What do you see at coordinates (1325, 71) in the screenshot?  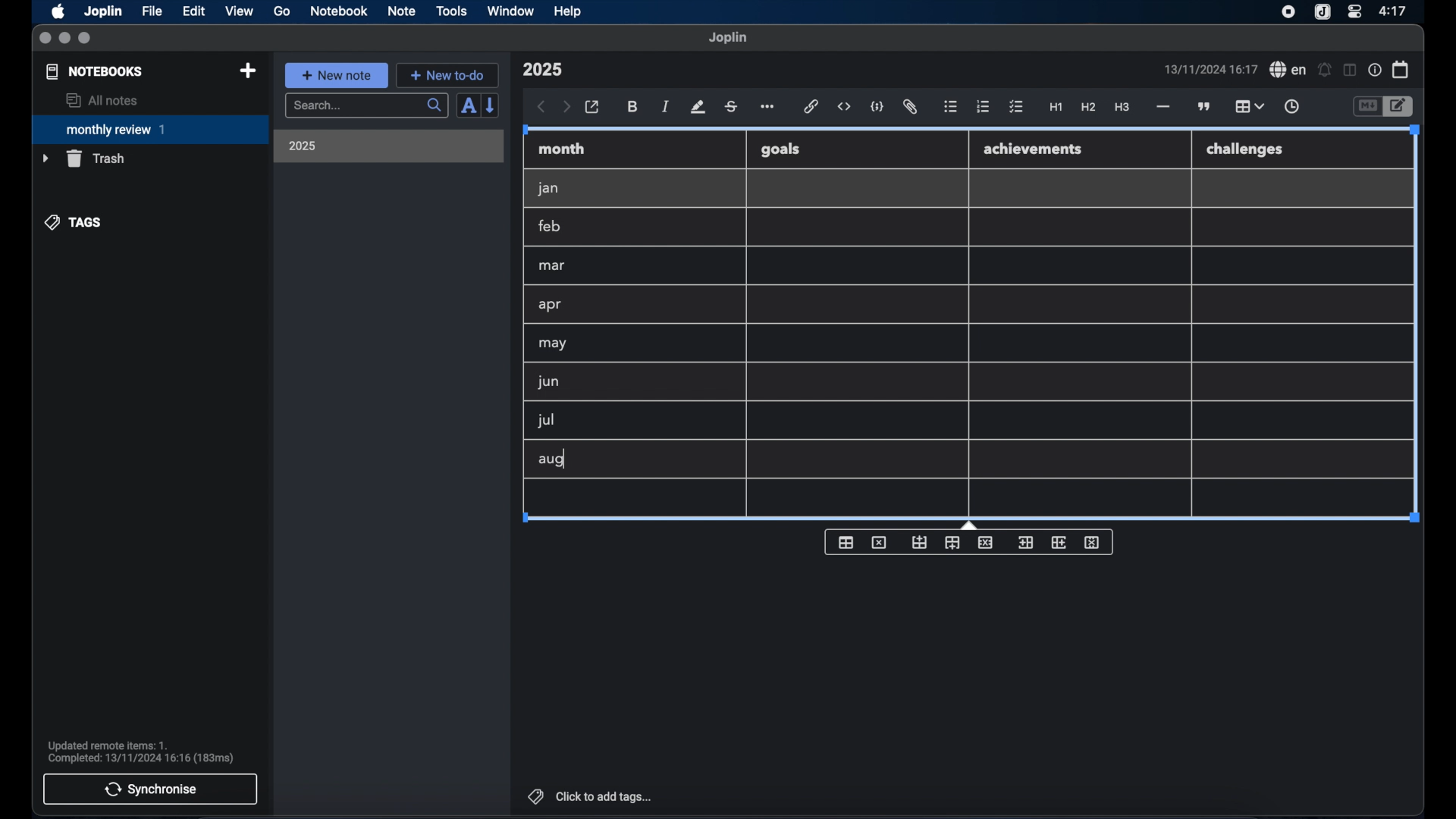 I see `set alarm` at bounding box center [1325, 71].